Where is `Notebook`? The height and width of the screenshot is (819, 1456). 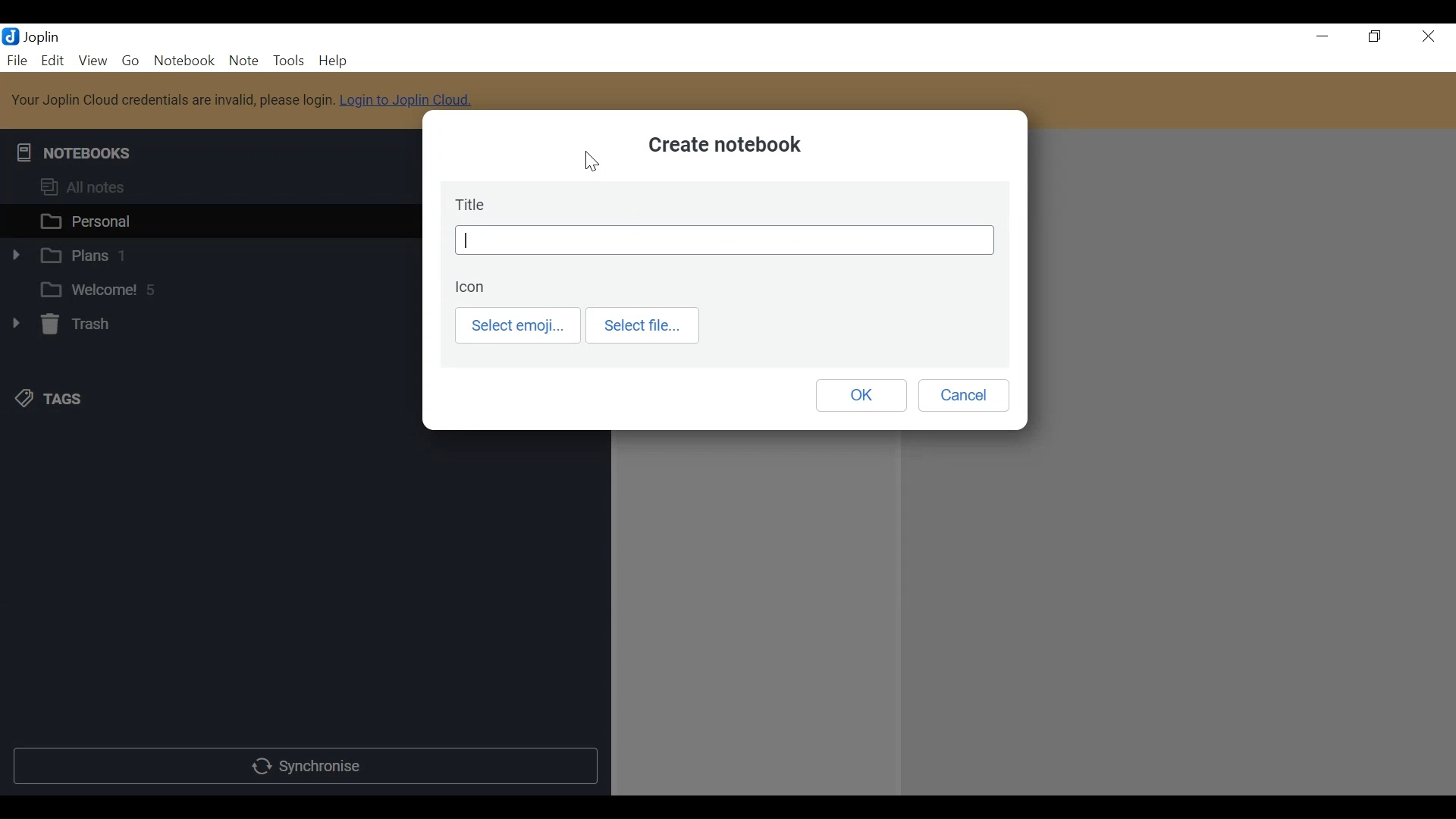
Notebook is located at coordinates (187, 60).